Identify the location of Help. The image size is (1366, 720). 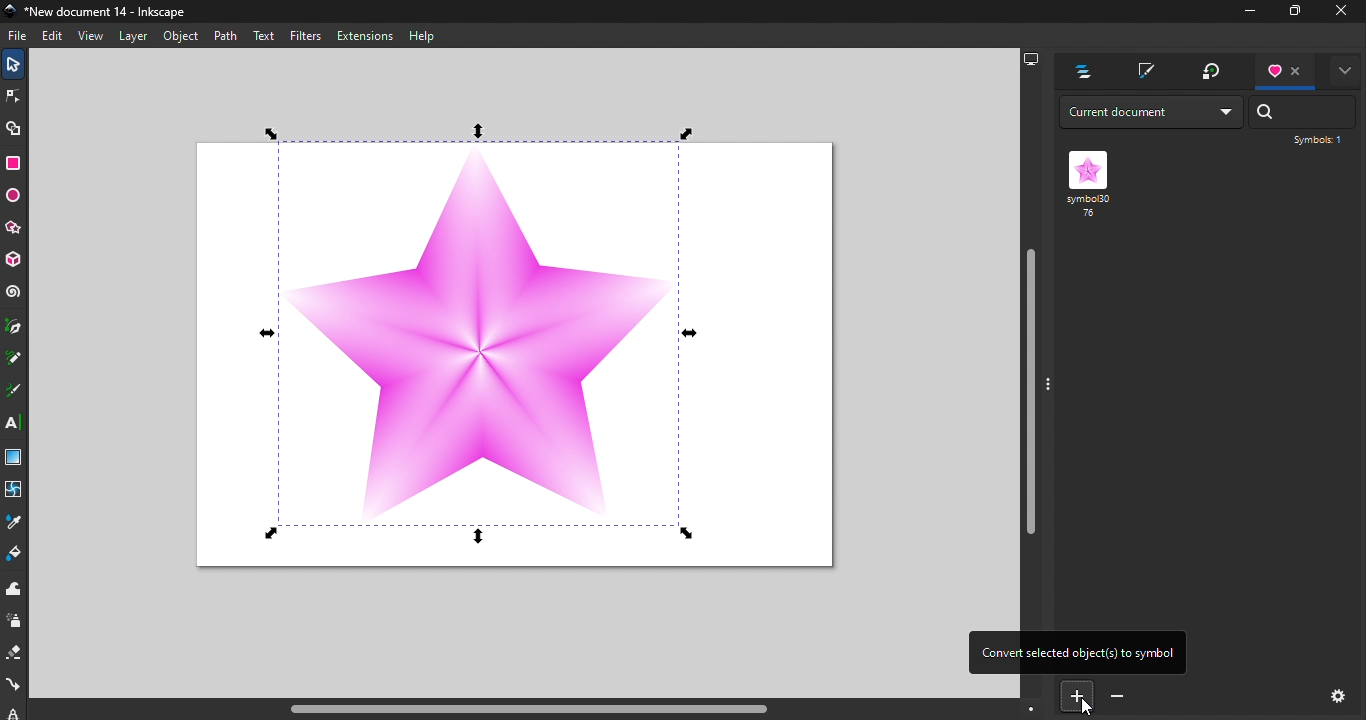
(421, 37).